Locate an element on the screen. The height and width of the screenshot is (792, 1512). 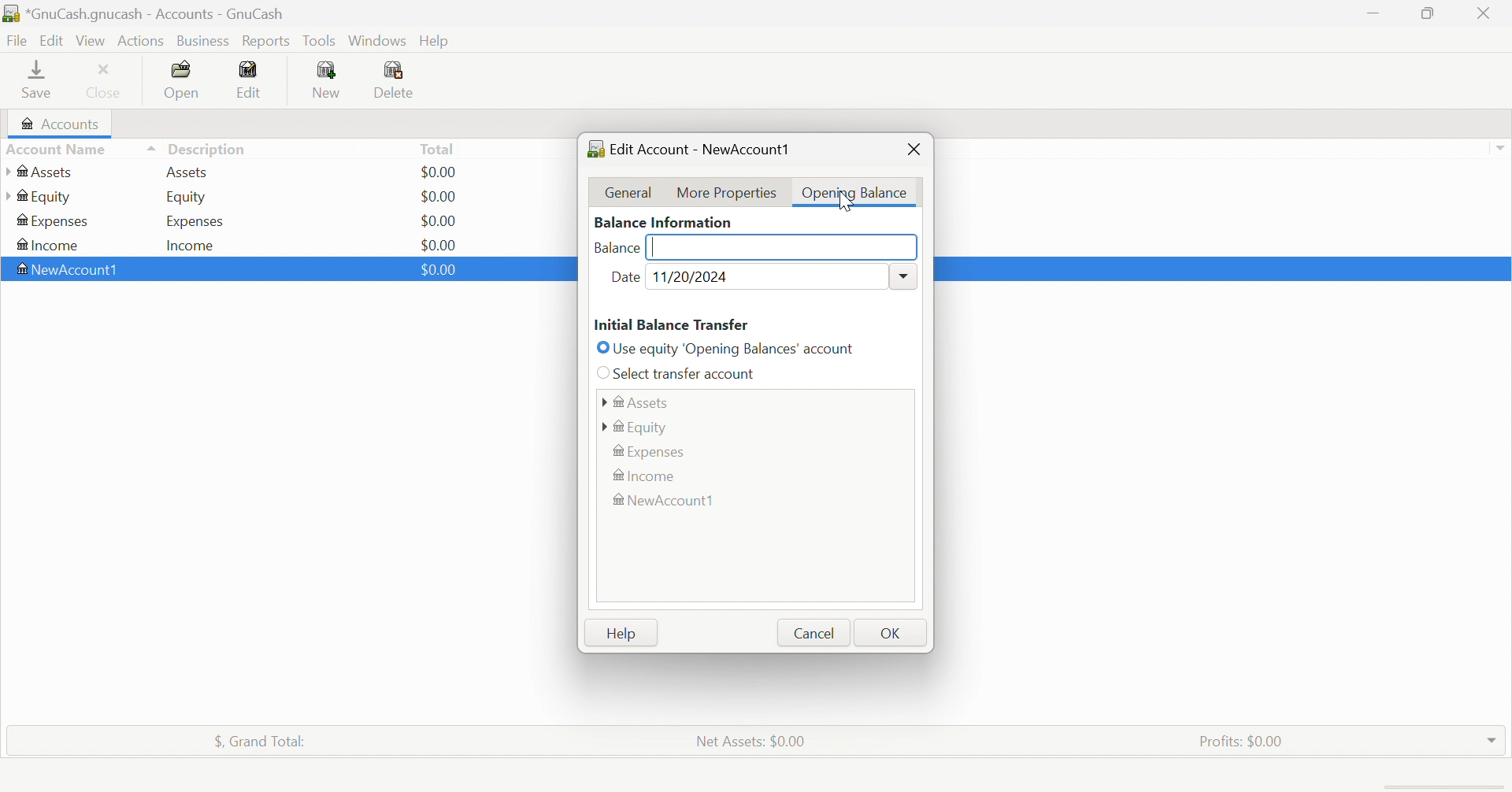
Income is located at coordinates (196, 244).